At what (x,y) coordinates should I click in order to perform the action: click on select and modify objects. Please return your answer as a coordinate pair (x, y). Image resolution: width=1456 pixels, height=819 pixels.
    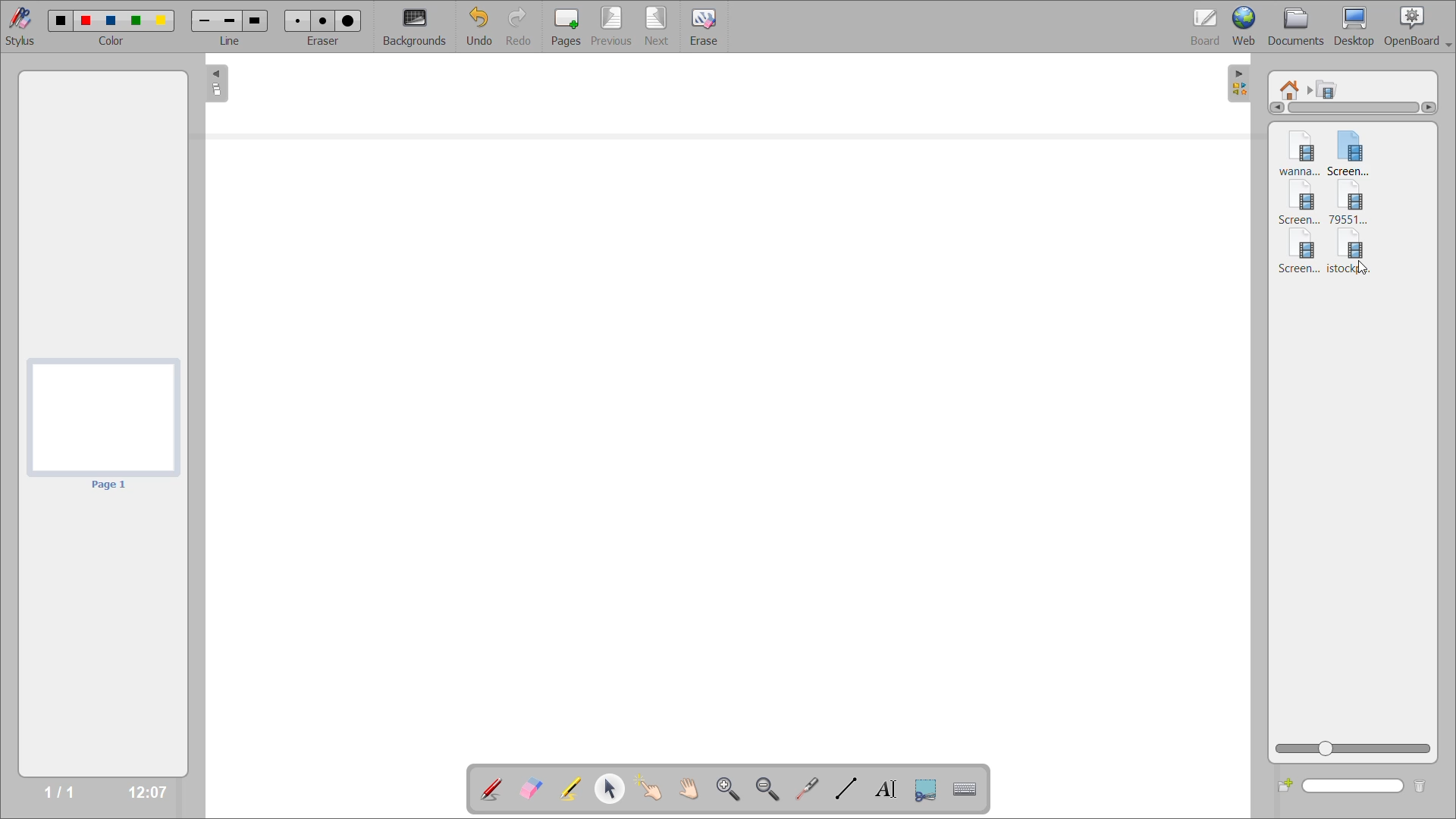
    Looking at the image, I should click on (615, 789).